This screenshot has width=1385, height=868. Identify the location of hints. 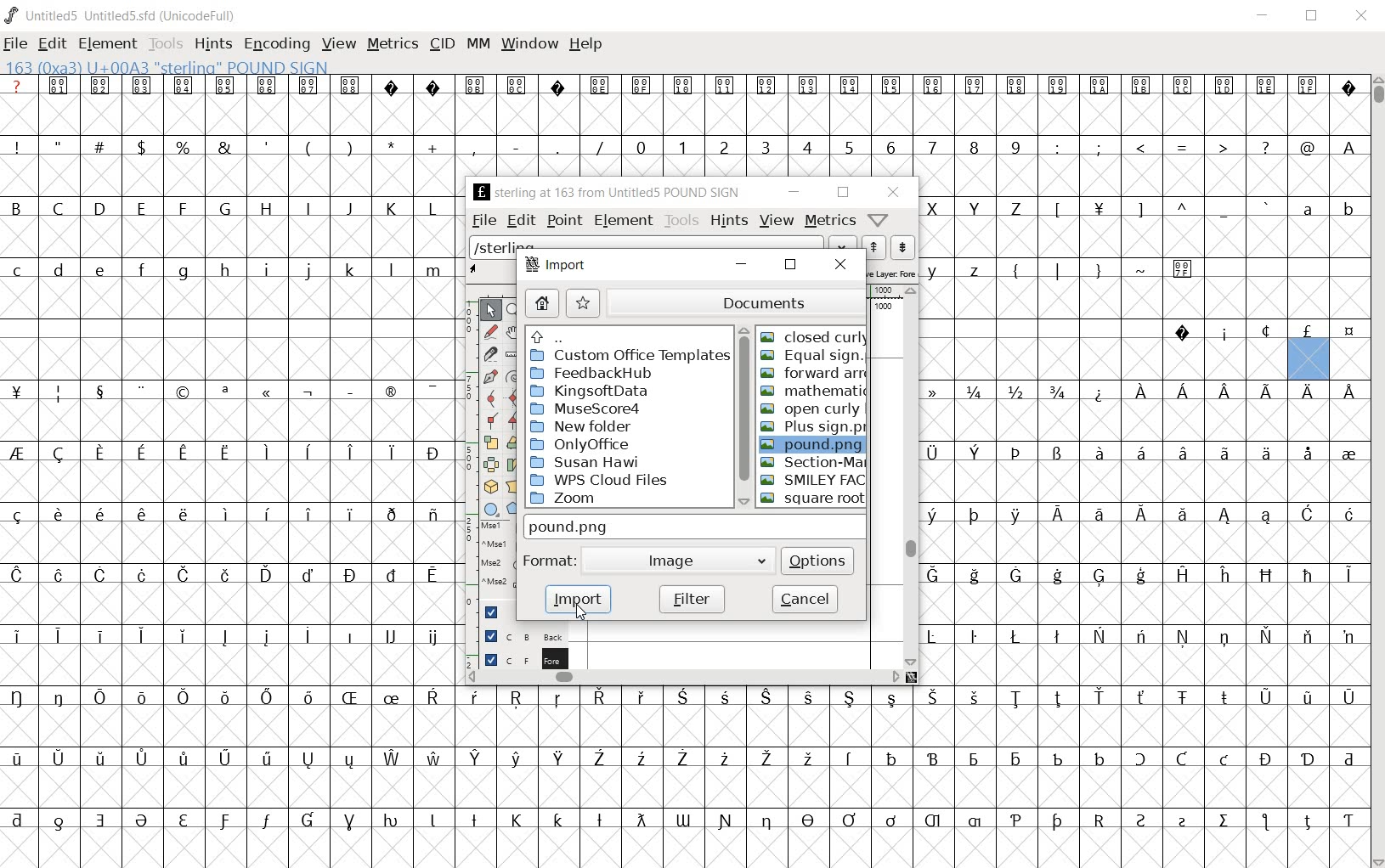
(729, 219).